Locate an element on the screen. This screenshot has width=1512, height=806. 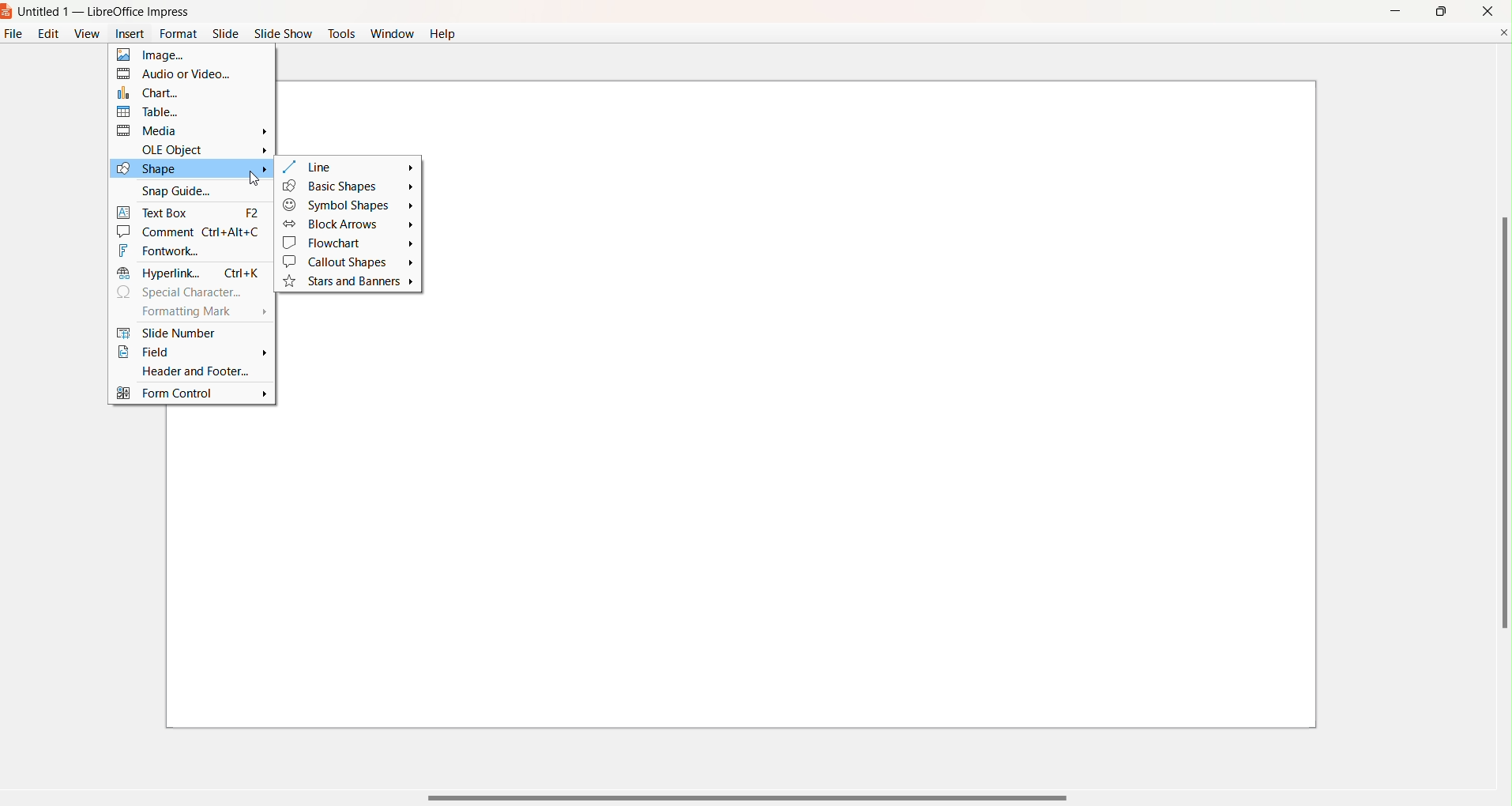
File is located at coordinates (12, 37).